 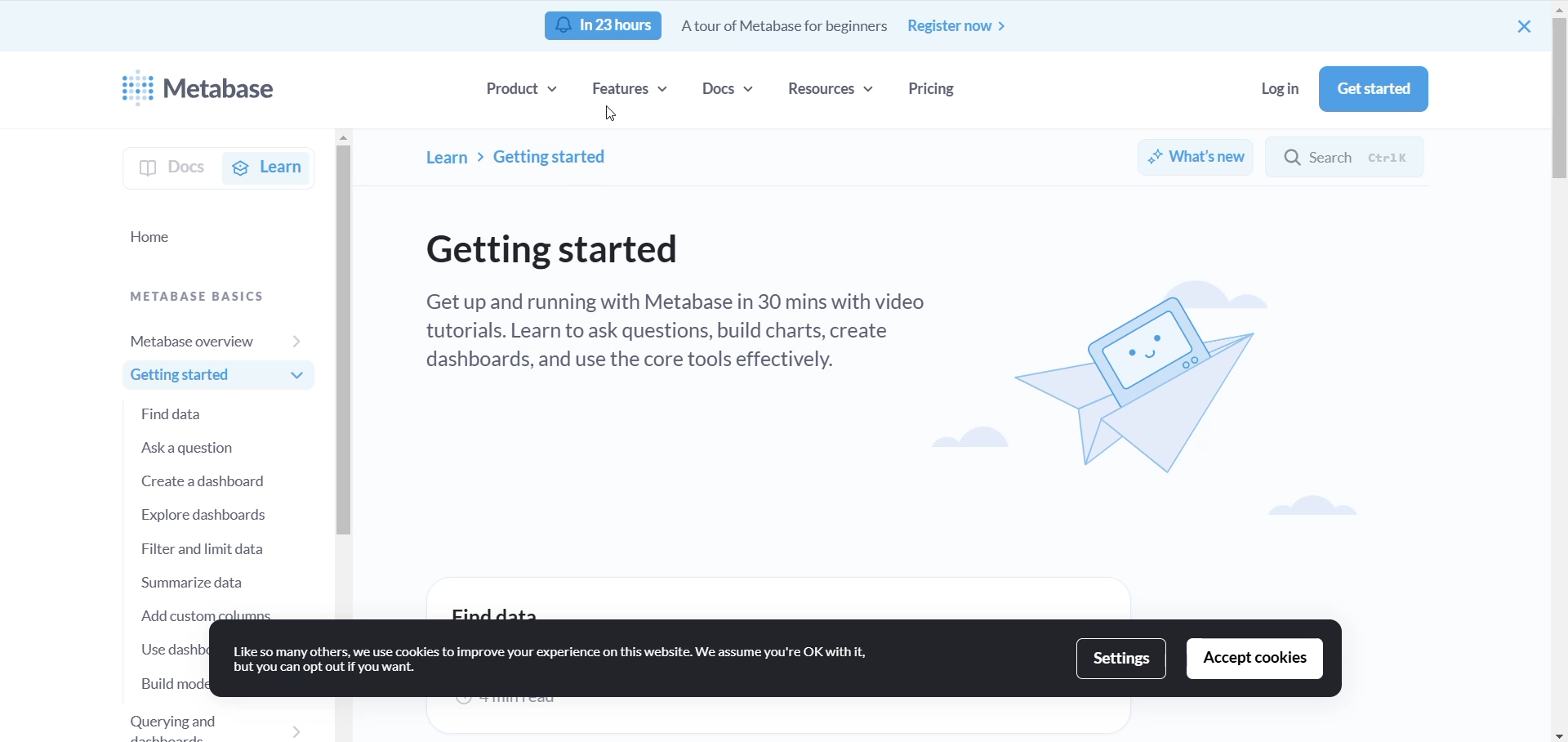 I want to click on Ask a question, so click(x=208, y=448).